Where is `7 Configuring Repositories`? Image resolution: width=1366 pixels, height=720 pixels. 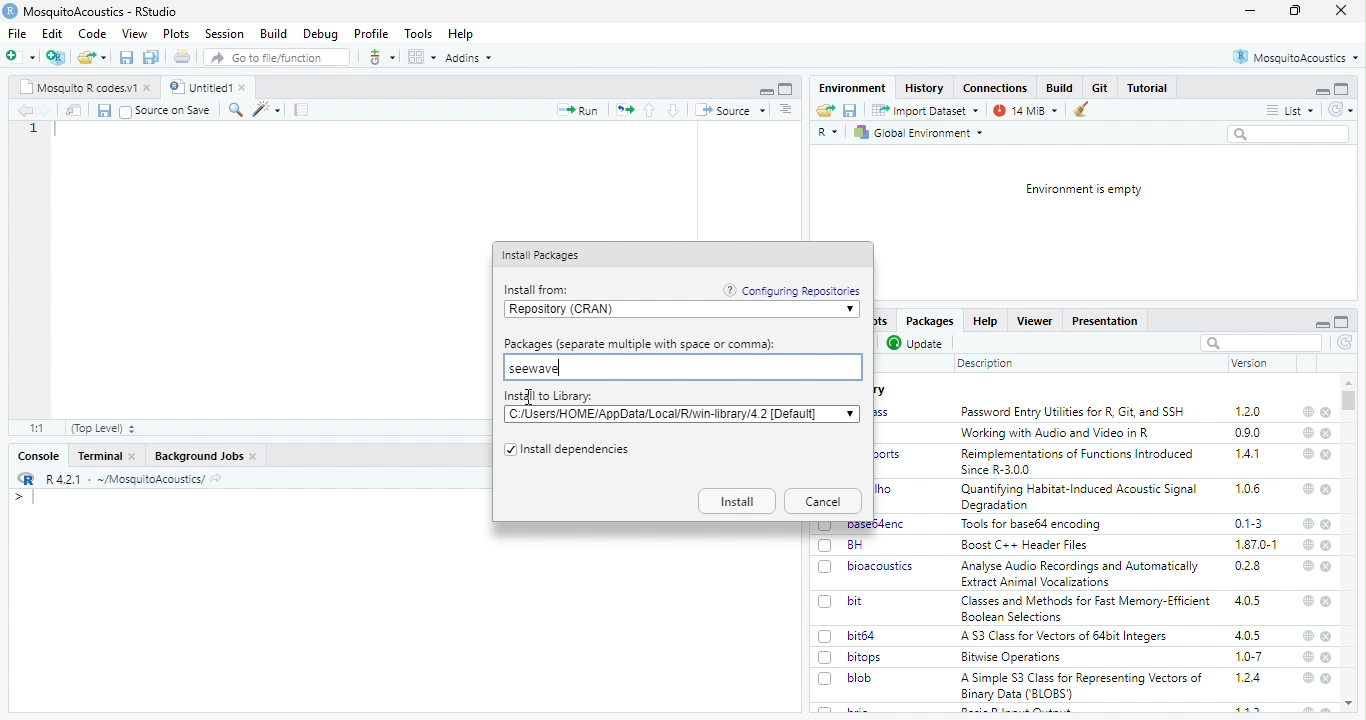 7 Configuring Repositories is located at coordinates (792, 290).